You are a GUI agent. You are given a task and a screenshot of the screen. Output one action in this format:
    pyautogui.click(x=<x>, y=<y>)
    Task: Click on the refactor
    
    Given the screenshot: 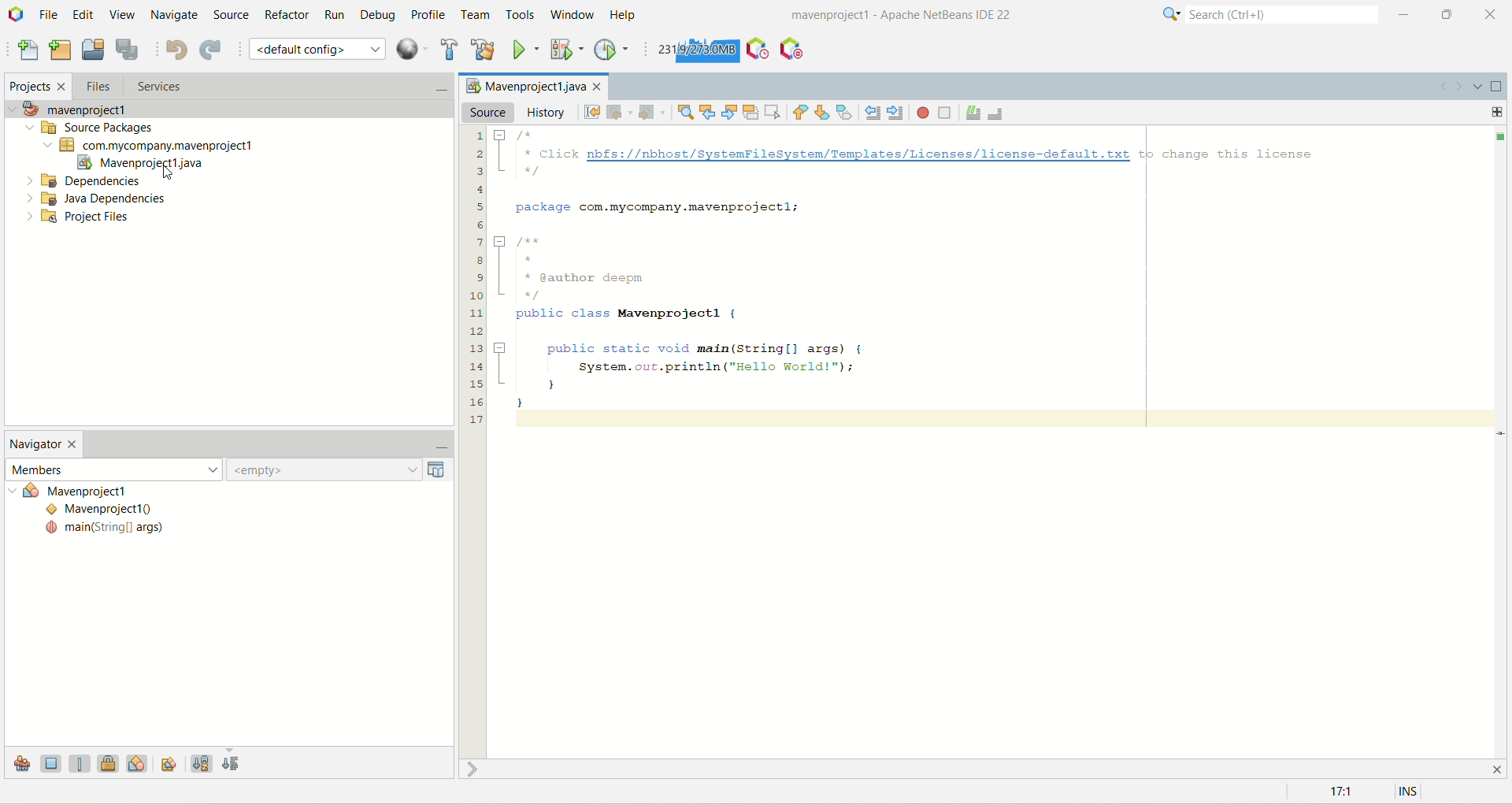 What is the action you would take?
    pyautogui.click(x=287, y=15)
    